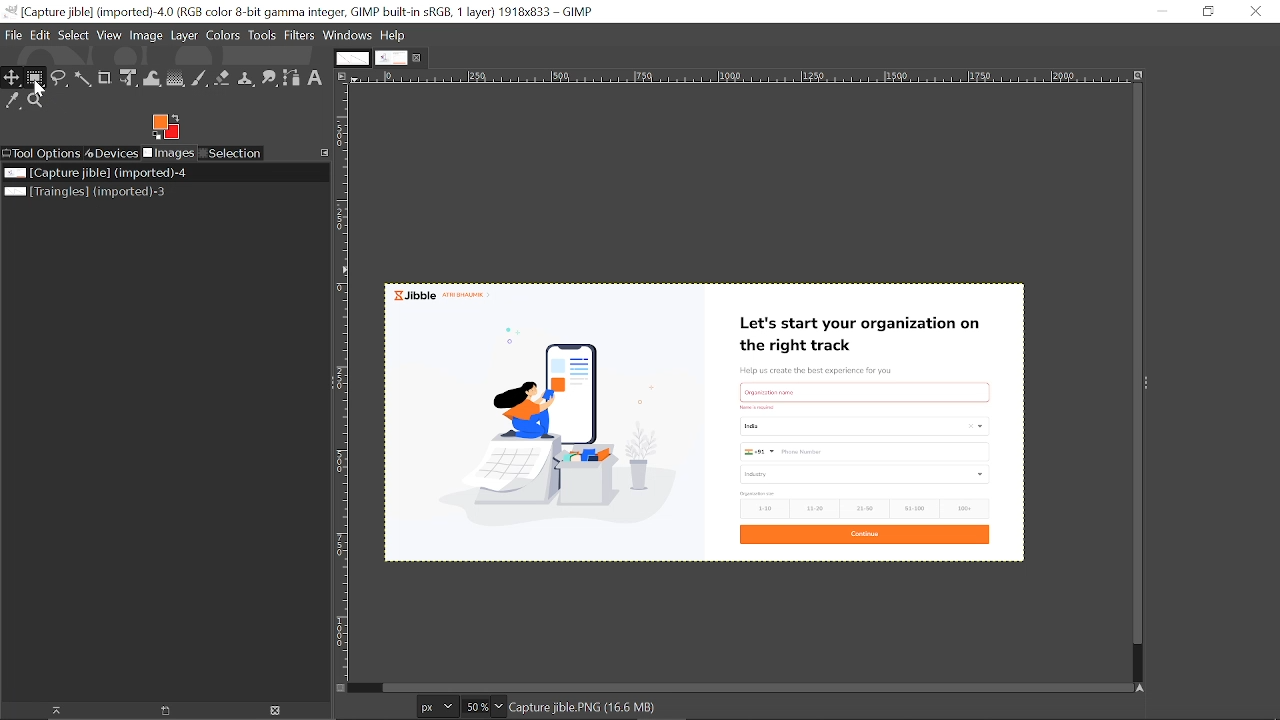 The width and height of the screenshot is (1280, 720). Describe the element at coordinates (392, 58) in the screenshot. I see `Current tab` at that location.